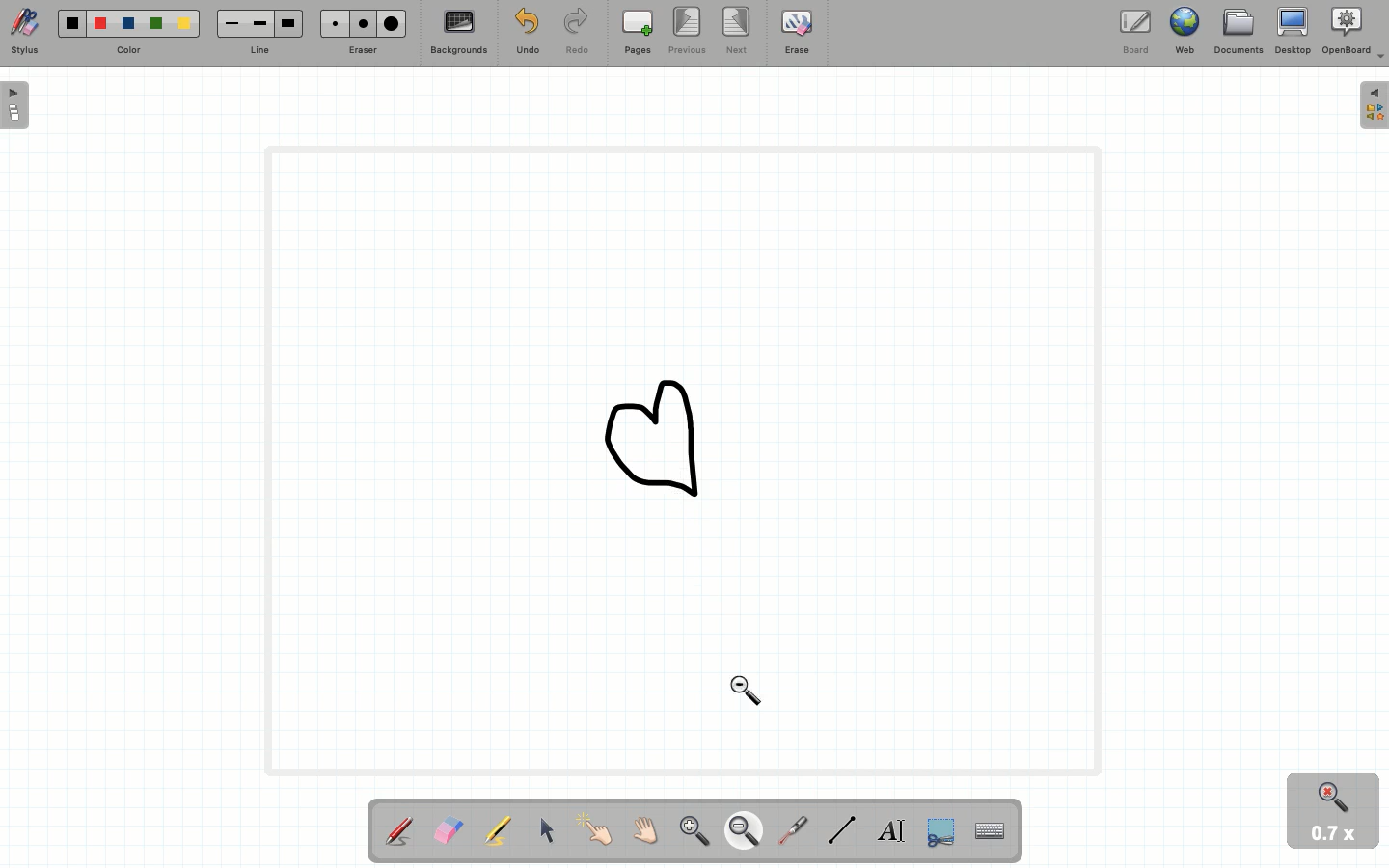 This screenshot has width=1389, height=868. I want to click on Color, so click(129, 34).